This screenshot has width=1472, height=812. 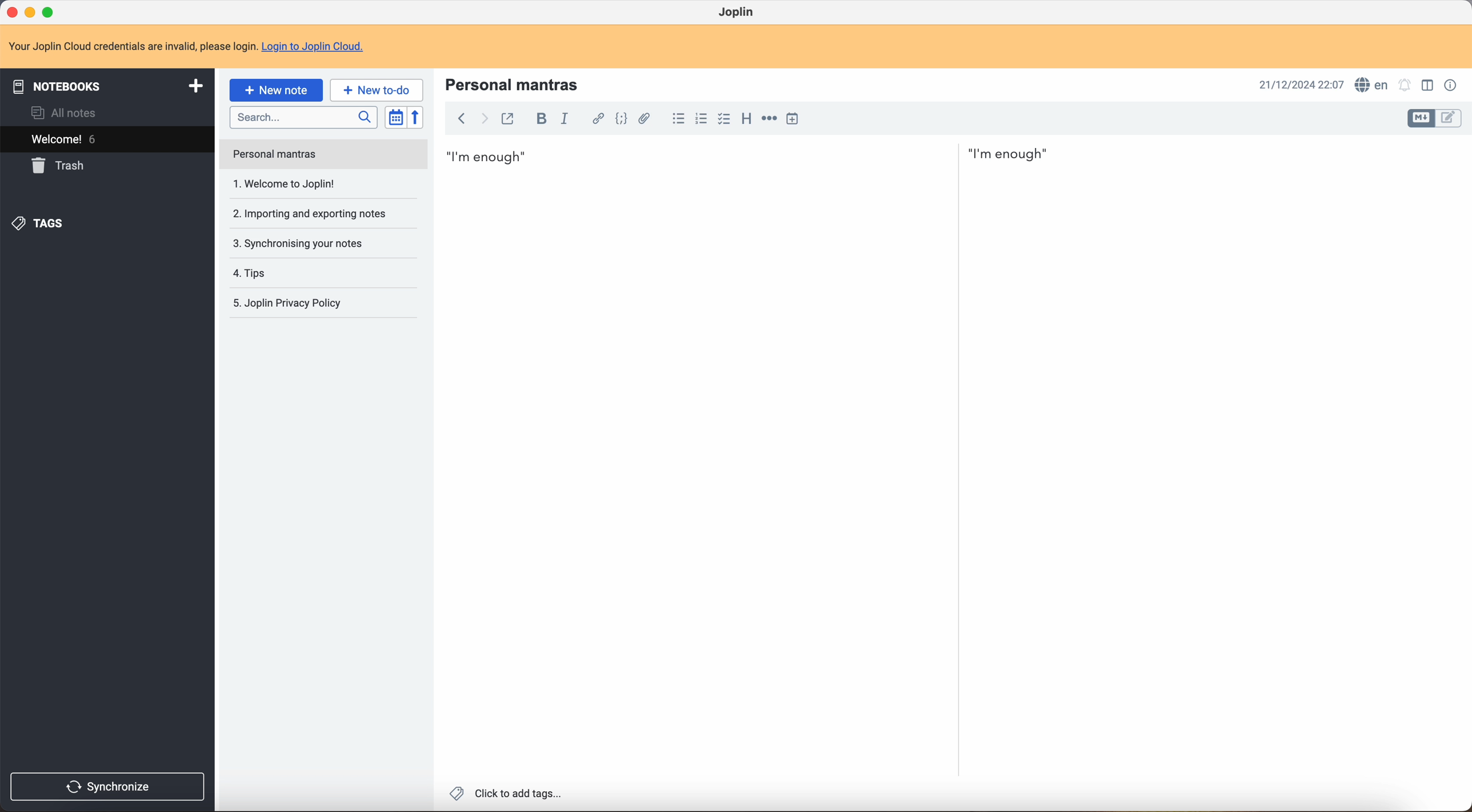 I want to click on I'm enough first mantra, so click(x=750, y=157).